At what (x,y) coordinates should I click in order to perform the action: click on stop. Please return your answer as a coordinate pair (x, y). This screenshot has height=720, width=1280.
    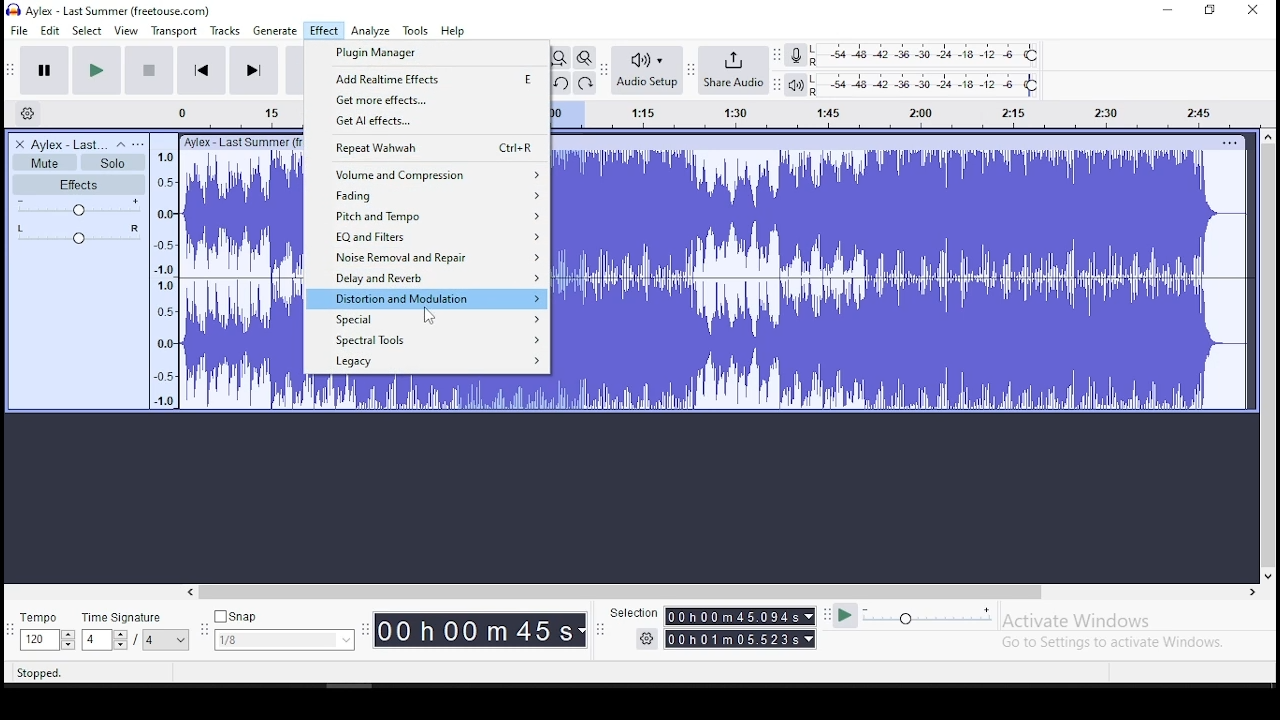
    Looking at the image, I should click on (149, 70).